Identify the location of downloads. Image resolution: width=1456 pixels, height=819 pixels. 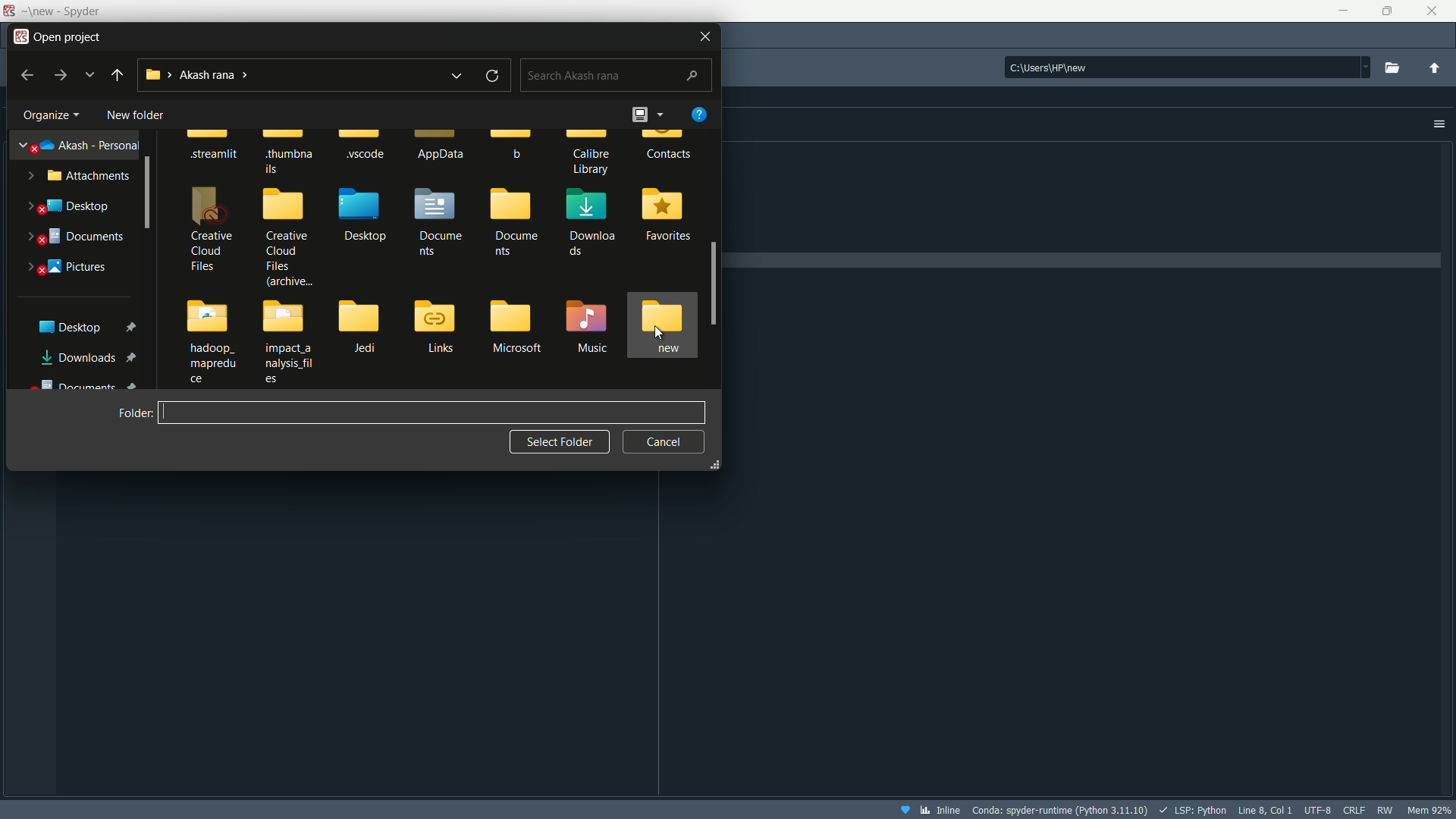
(93, 356).